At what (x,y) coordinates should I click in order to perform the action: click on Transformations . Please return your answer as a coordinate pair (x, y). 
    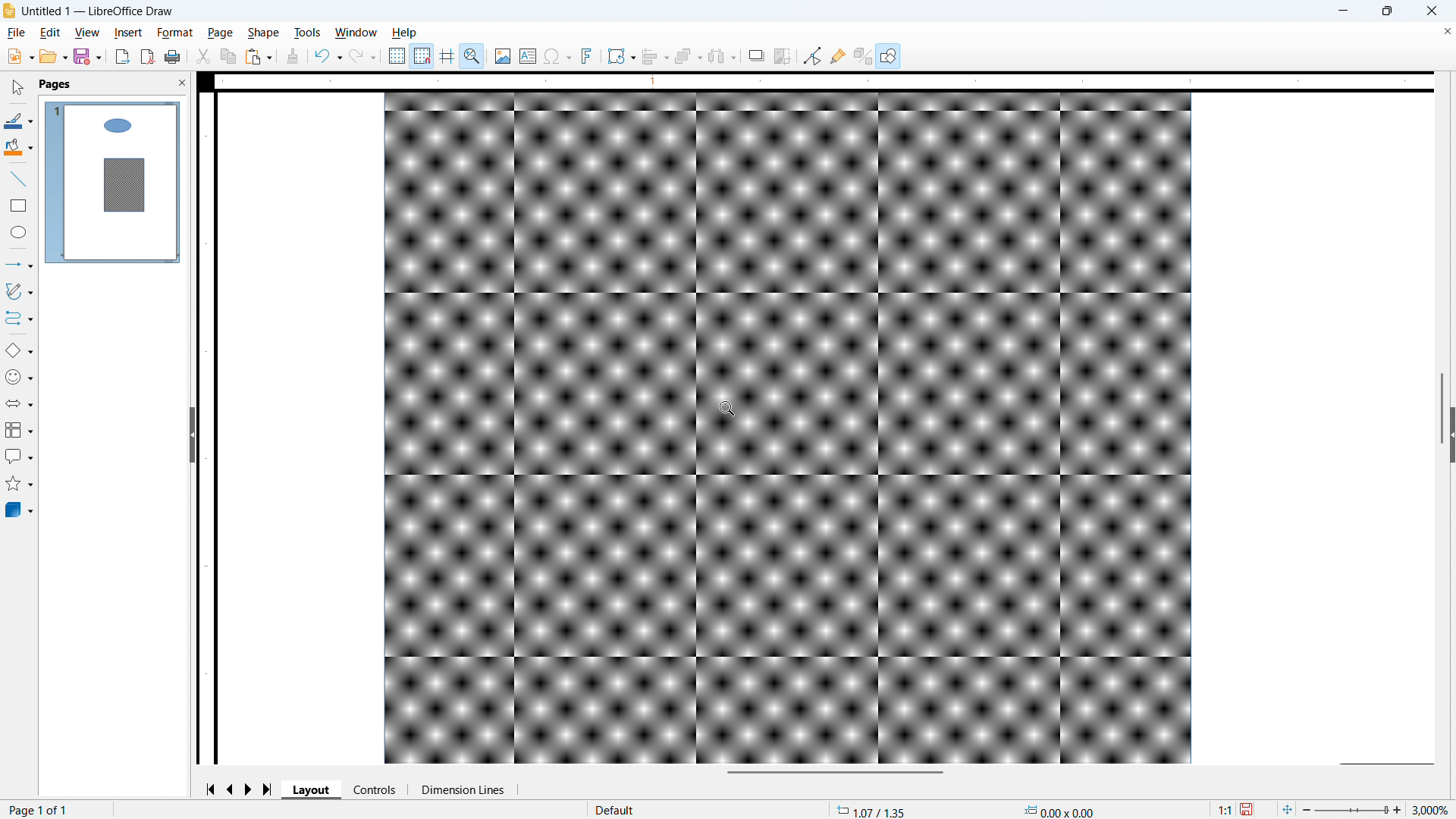
    Looking at the image, I should click on (621, 57).